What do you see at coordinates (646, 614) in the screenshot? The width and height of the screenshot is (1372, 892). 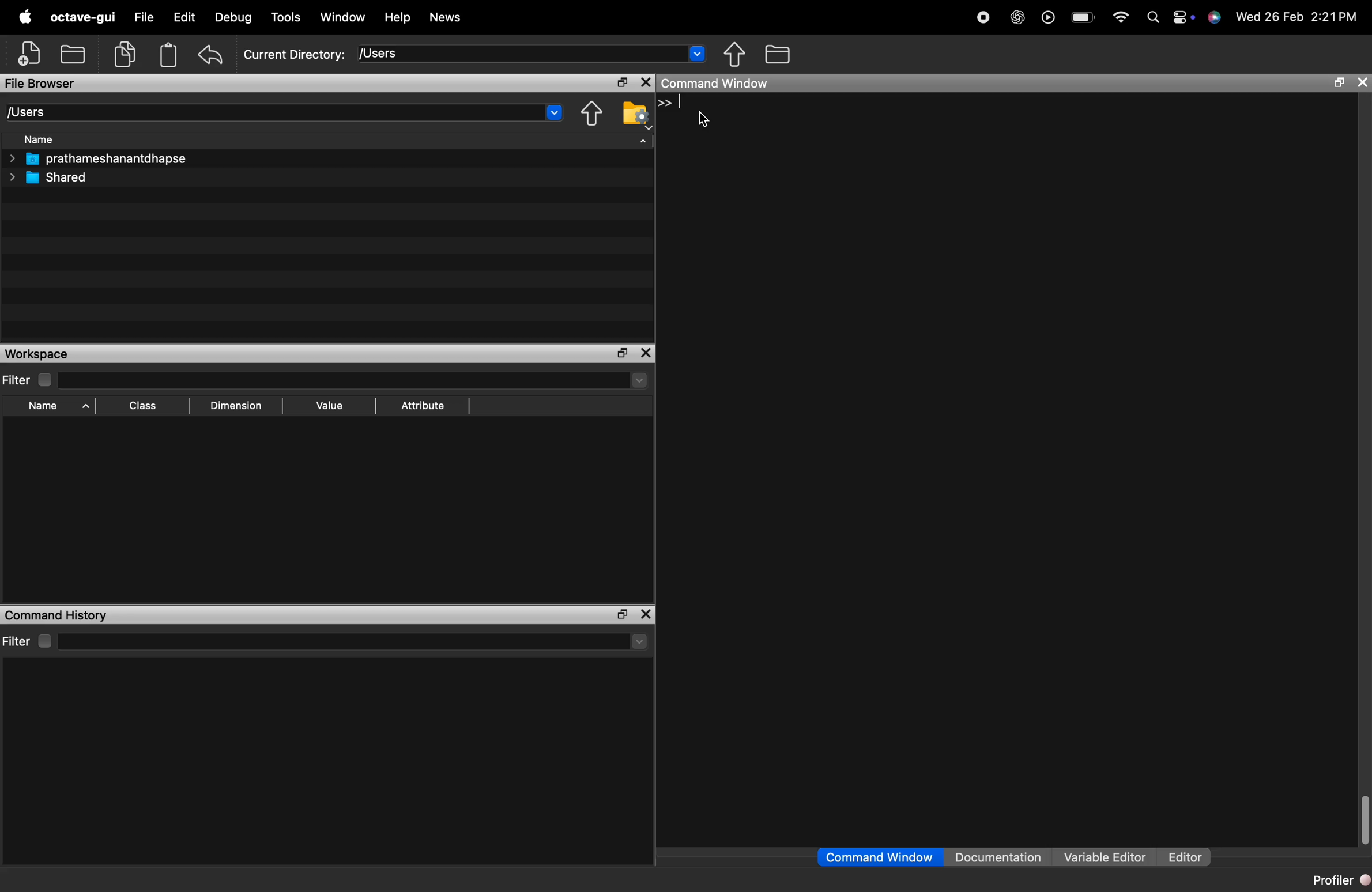 I see `close` at bounding box center [646, 614].